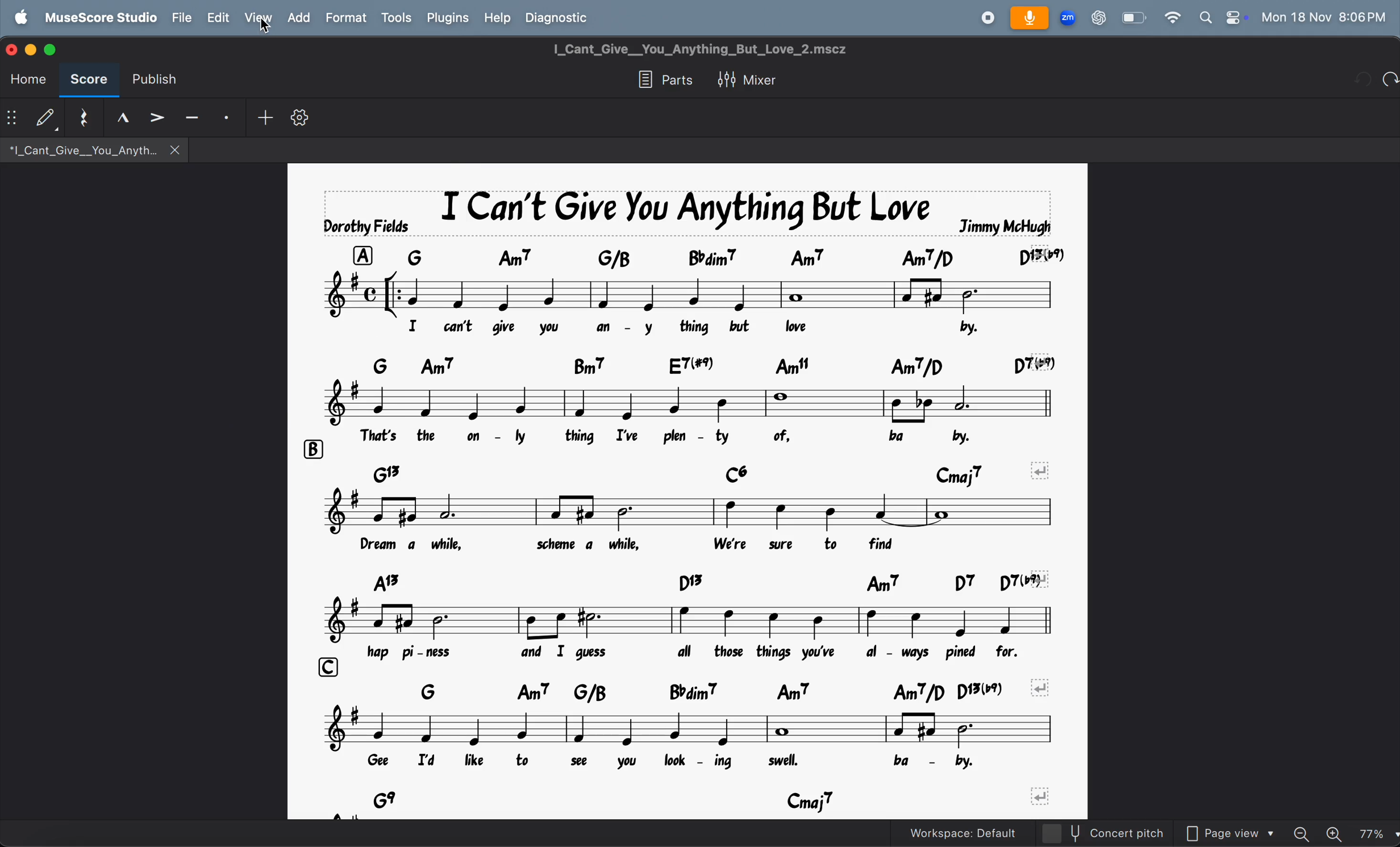 The height and width of the screenshot is (847, 1400). What do you see at coordinates (687, 403) in the screenshot?
I see `note` at bounding box center [687, 403].